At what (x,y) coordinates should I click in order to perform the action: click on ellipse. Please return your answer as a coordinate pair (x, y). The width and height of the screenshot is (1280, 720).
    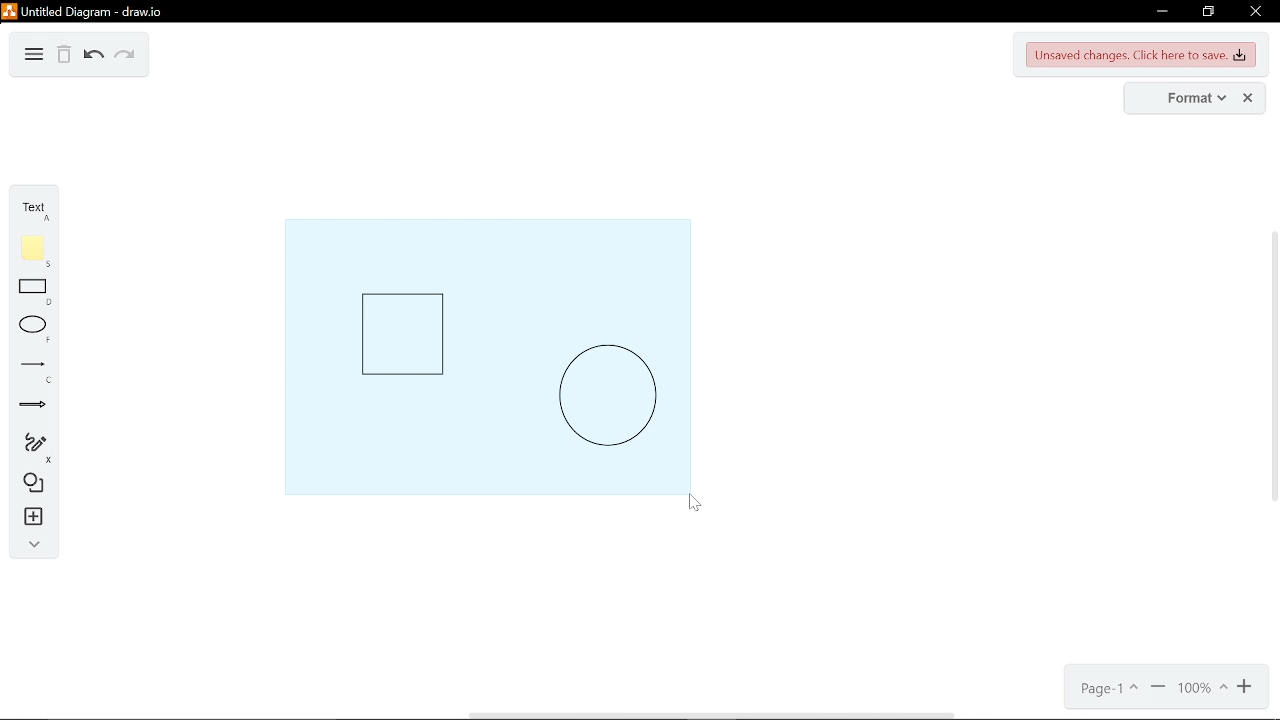
    Looking at the image, I should click on (30, 332).